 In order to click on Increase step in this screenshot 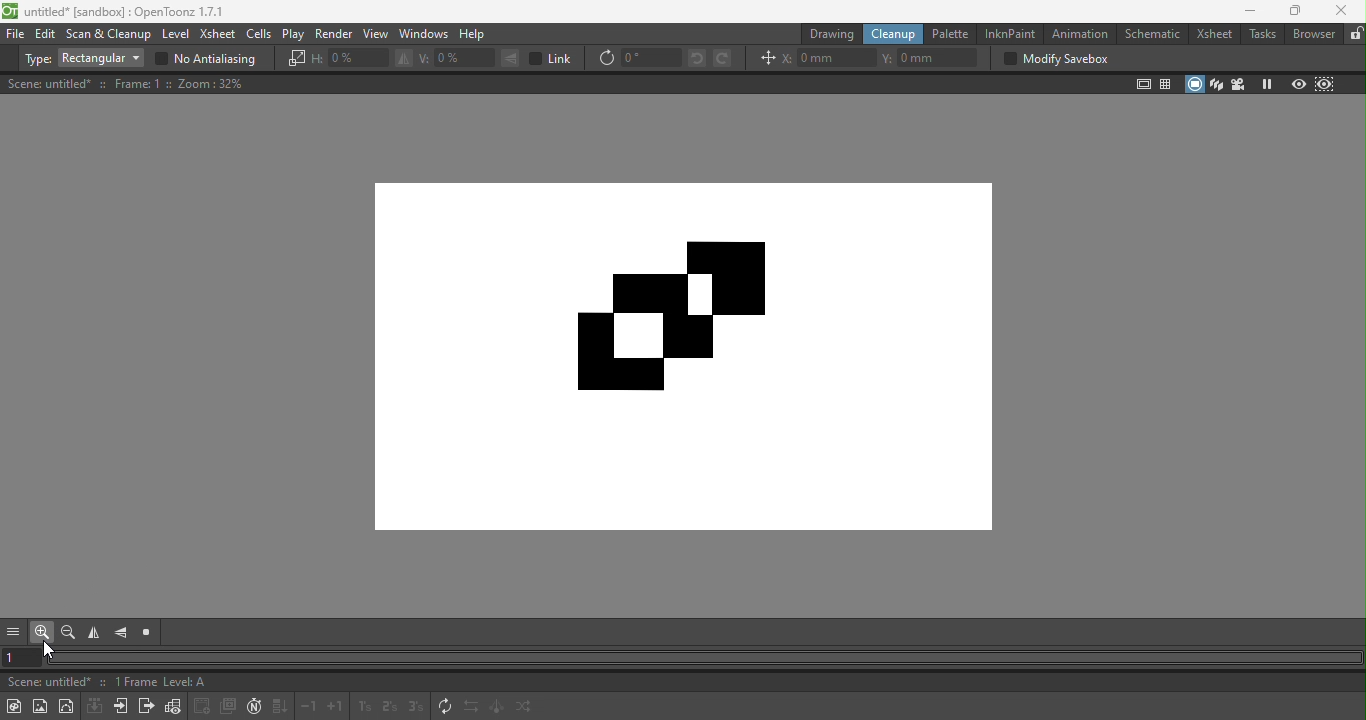, I will do `click(336, 708)`.